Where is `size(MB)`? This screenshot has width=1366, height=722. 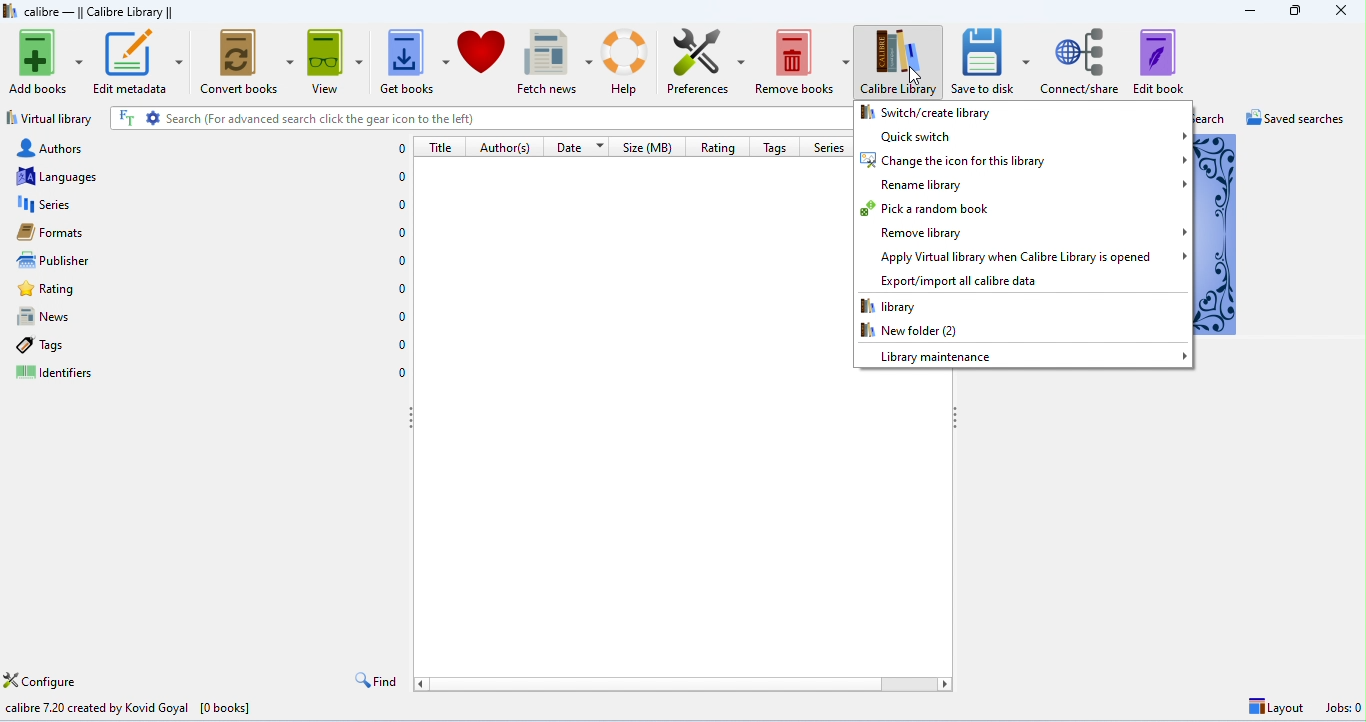 size(MB) is located at coordinates (651, 147).